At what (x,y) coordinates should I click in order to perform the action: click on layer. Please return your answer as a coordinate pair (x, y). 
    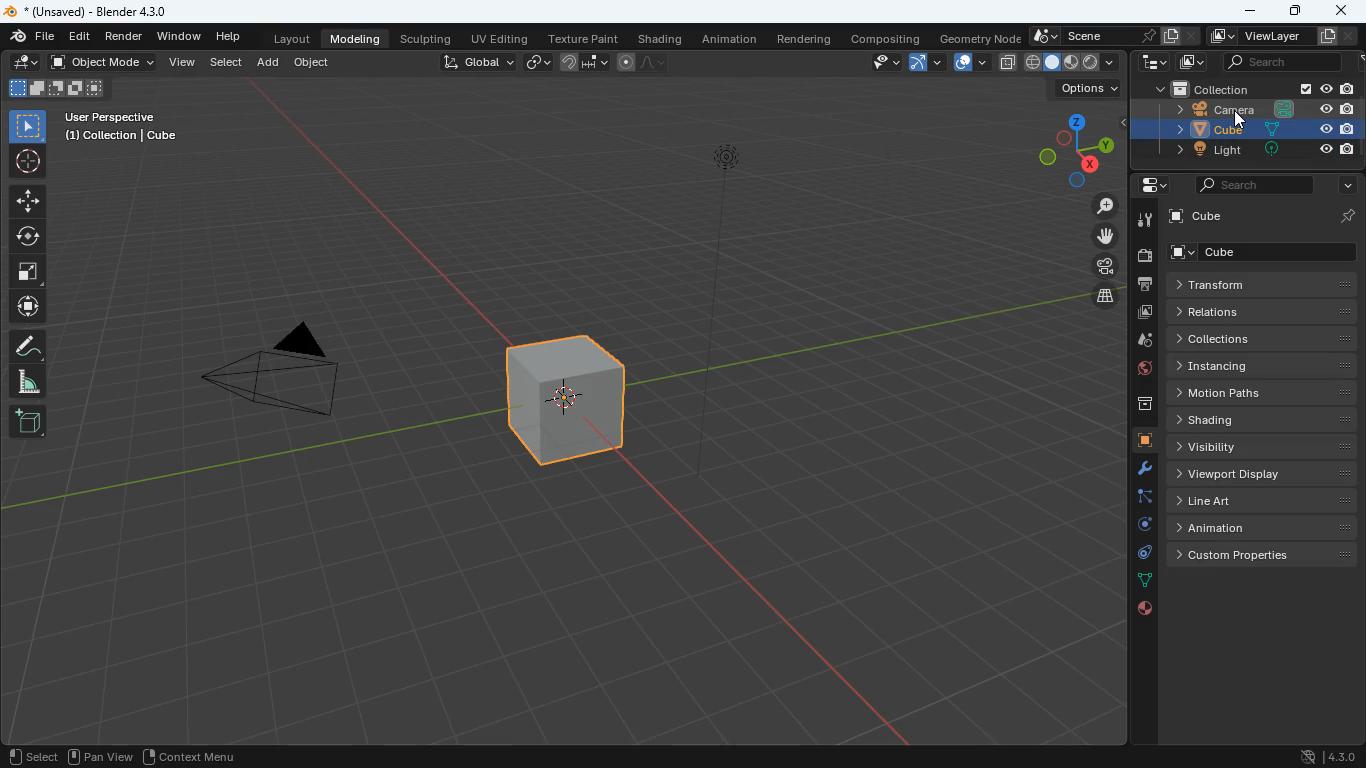
    Looking at the image, I should click on (1098, 295).